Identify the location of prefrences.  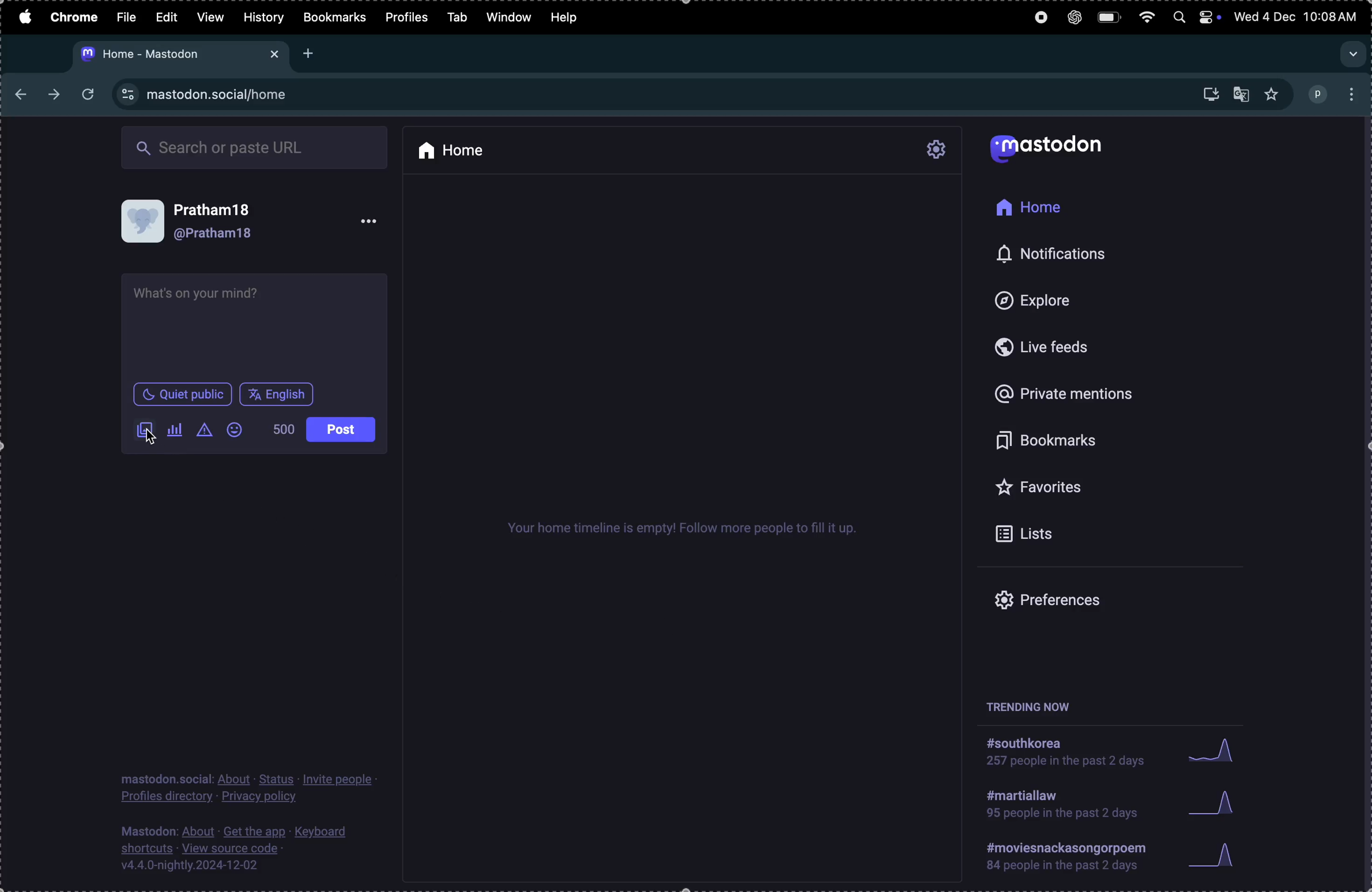
(1050, 598).